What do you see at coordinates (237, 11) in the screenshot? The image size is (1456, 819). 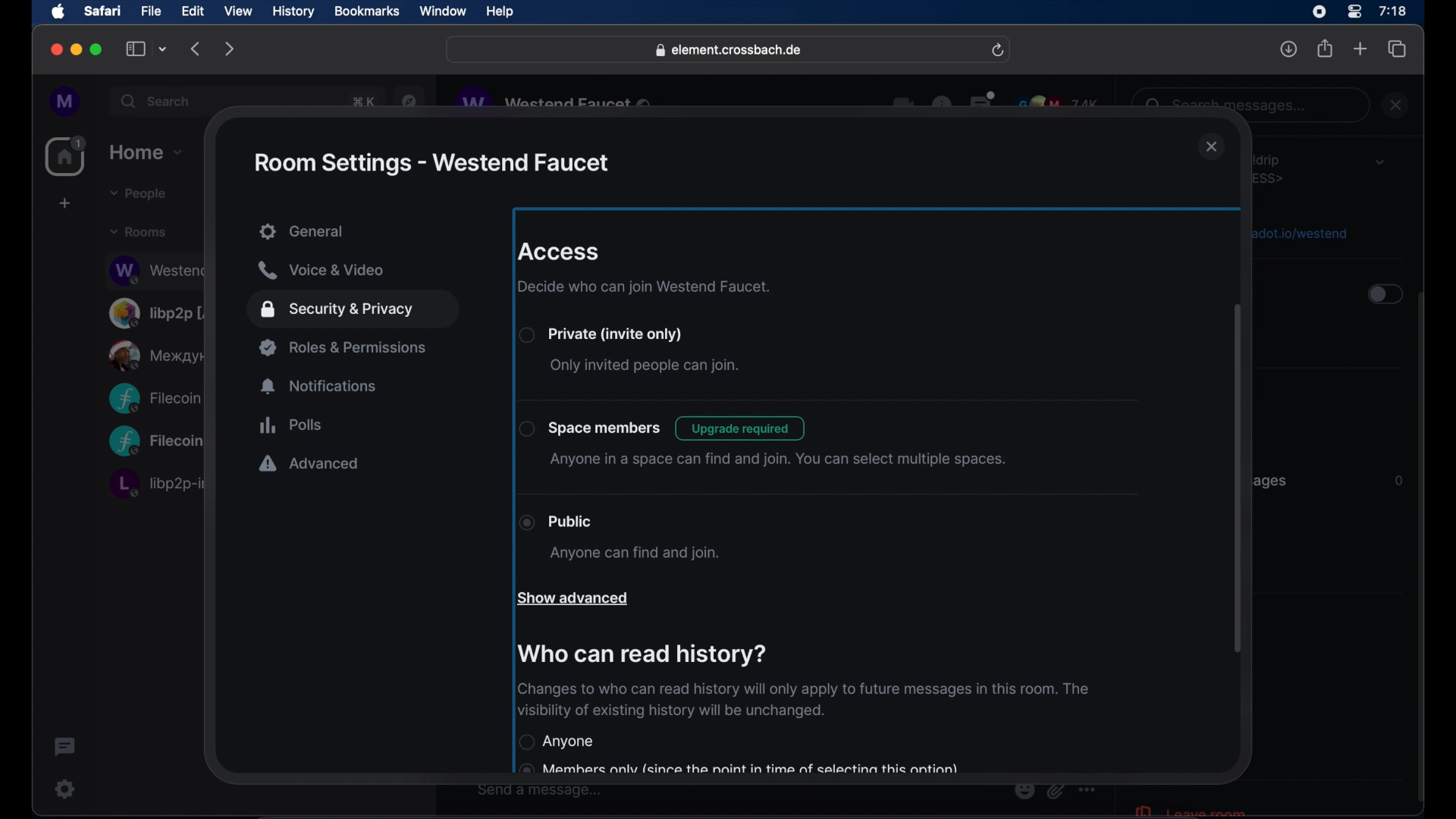 I see `view` at bounding box center [237, 11].